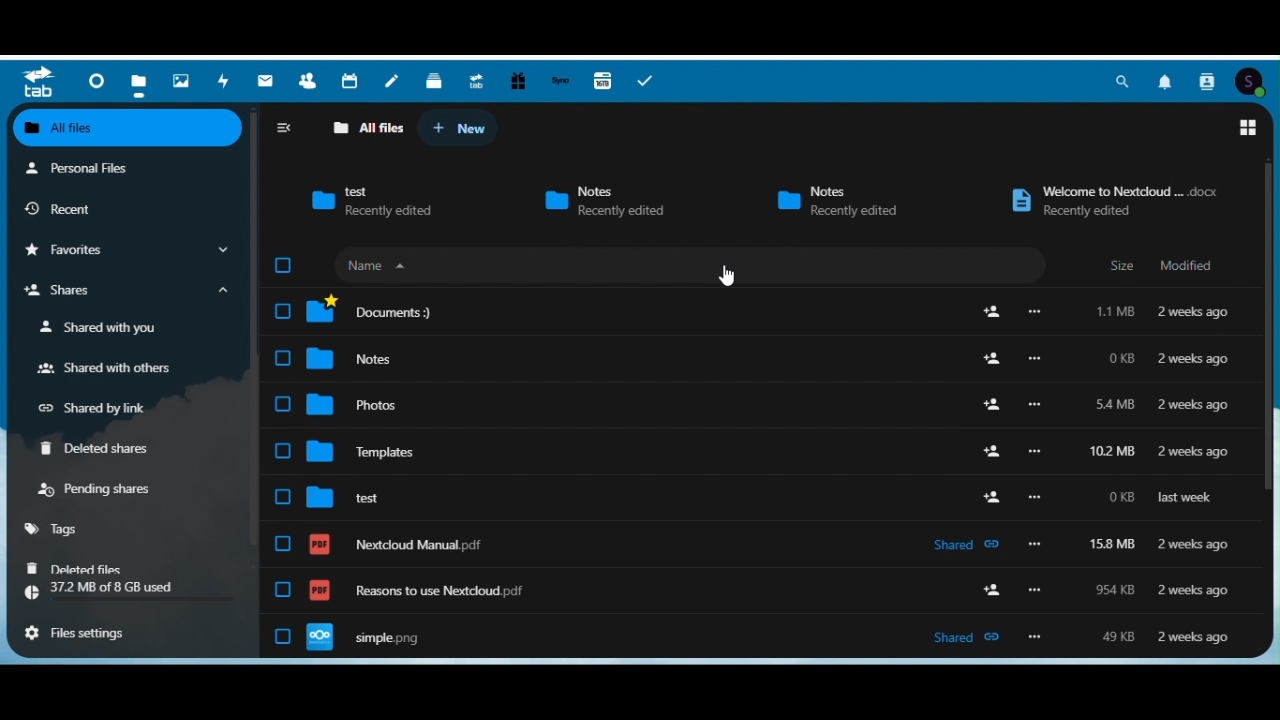  I want to click on reasons to use next cloud.pdf, so click(765, 596).